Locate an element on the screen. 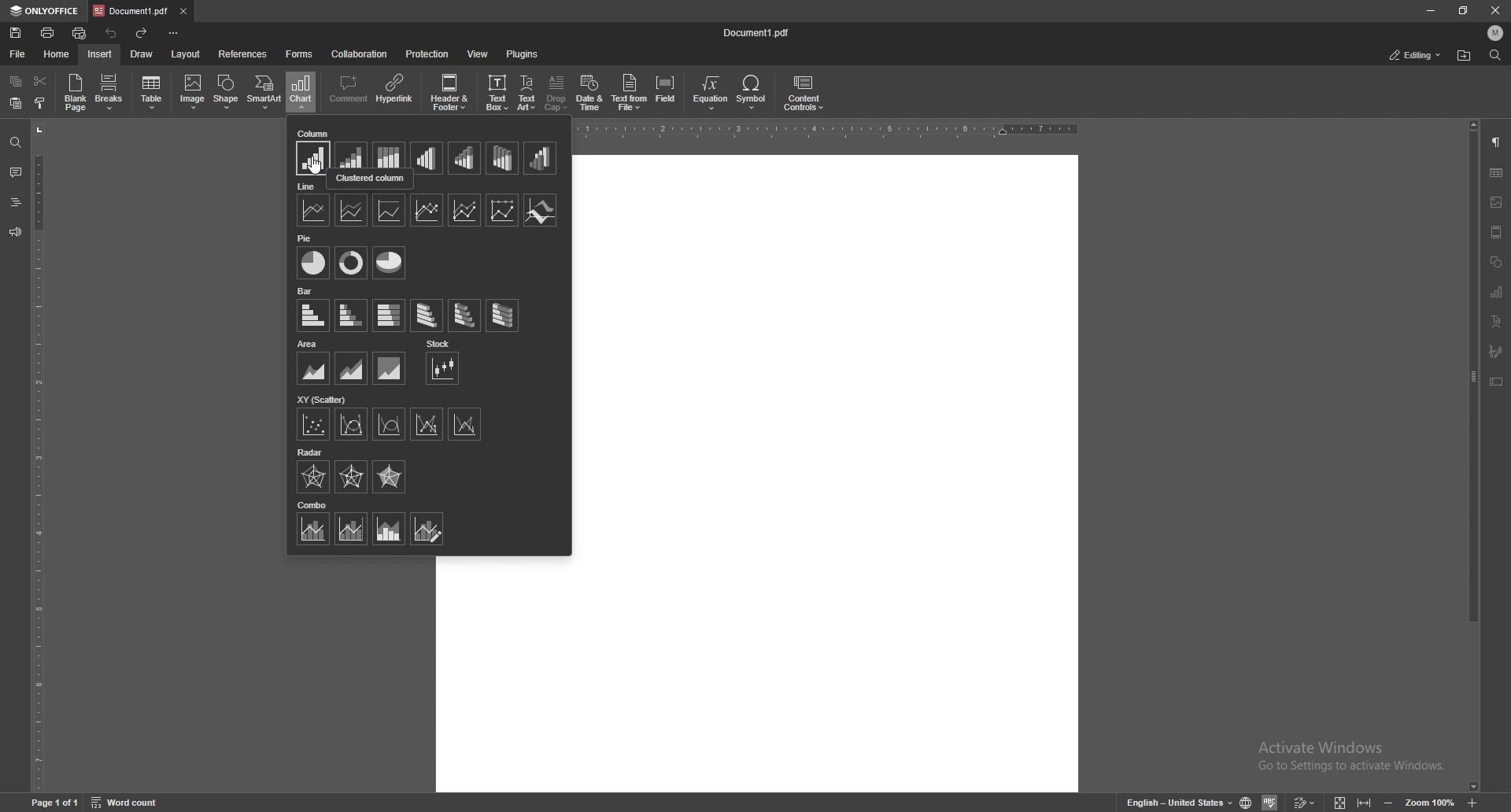 The image size is (1511, 812). copy style is located at coordinates (39, 104).